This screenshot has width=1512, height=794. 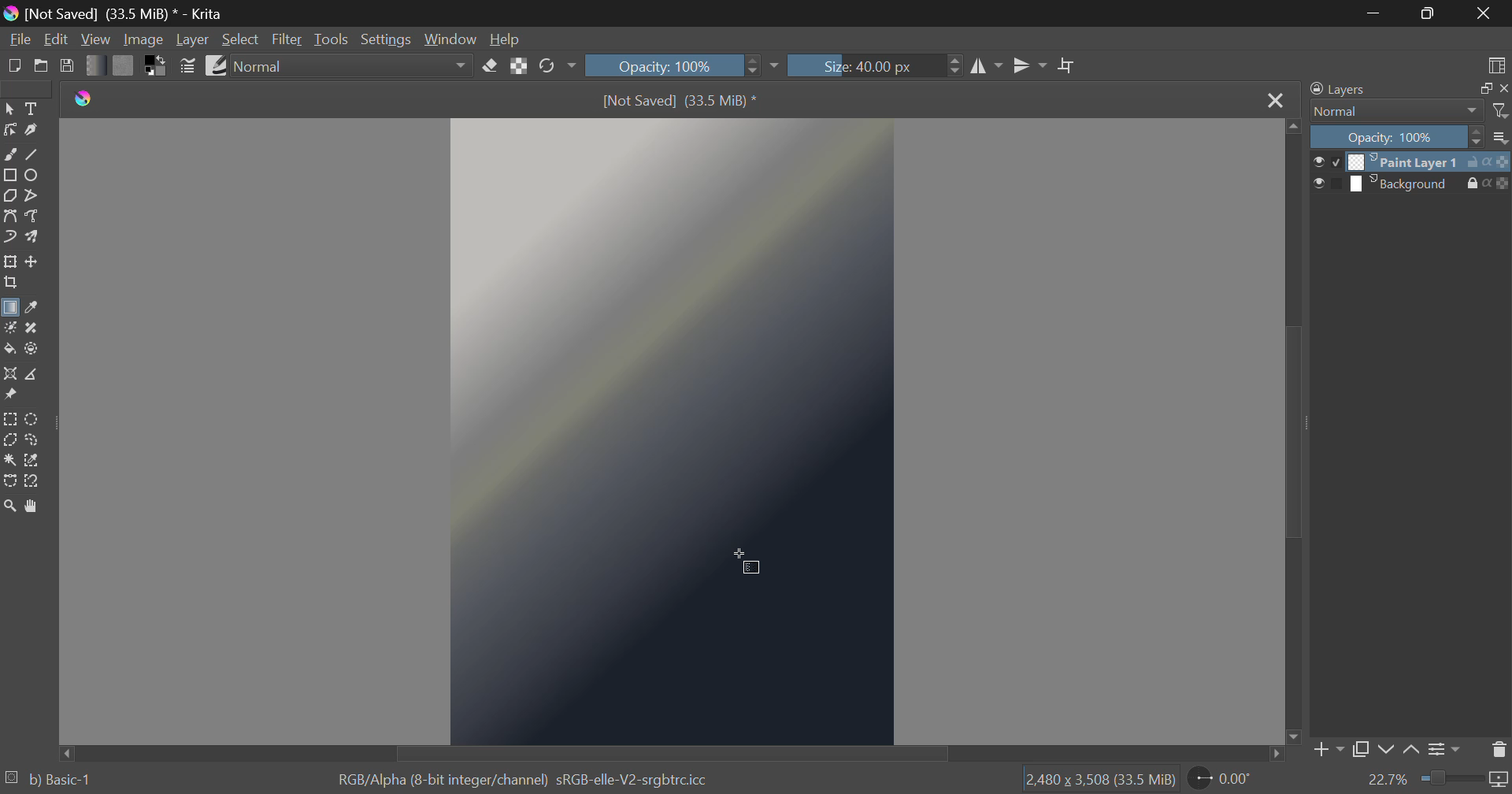 I want to click on Brush Settings, so click(x=187, y=65).